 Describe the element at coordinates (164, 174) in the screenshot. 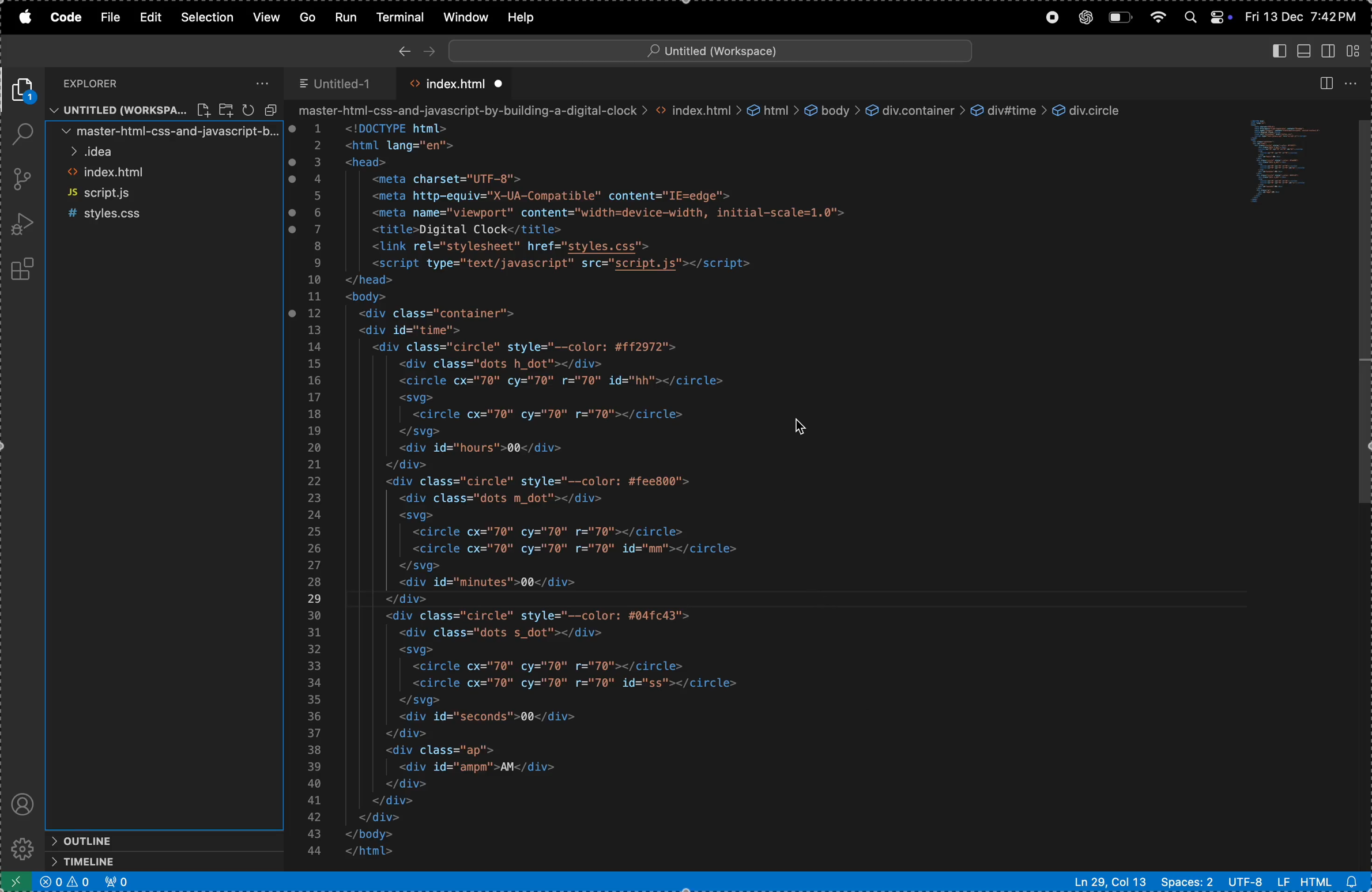

I see `index.html` at that location.